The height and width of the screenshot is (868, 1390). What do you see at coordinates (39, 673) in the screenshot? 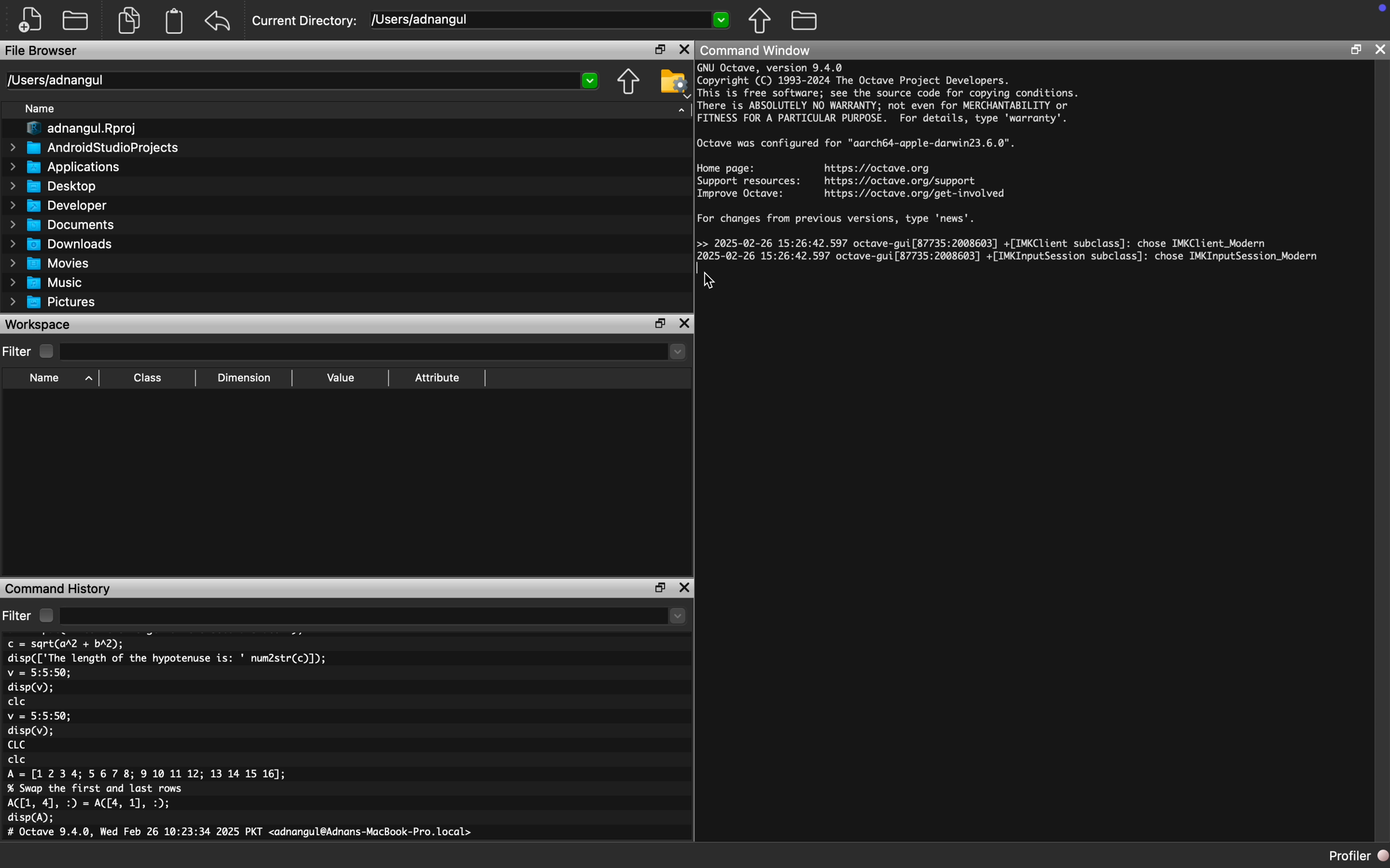
I see `v = 5:5:50;` at bounding box center [39, 673].